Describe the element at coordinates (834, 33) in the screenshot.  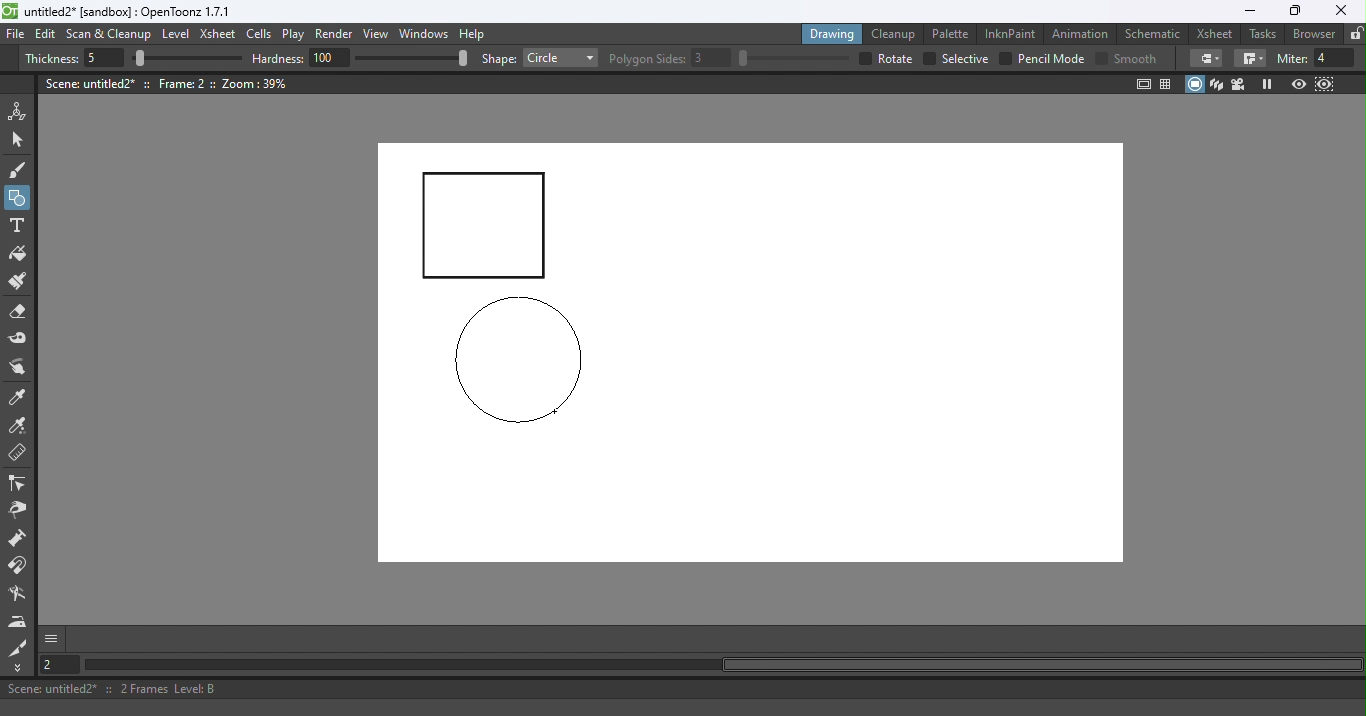
I see `Drawing` at that location.